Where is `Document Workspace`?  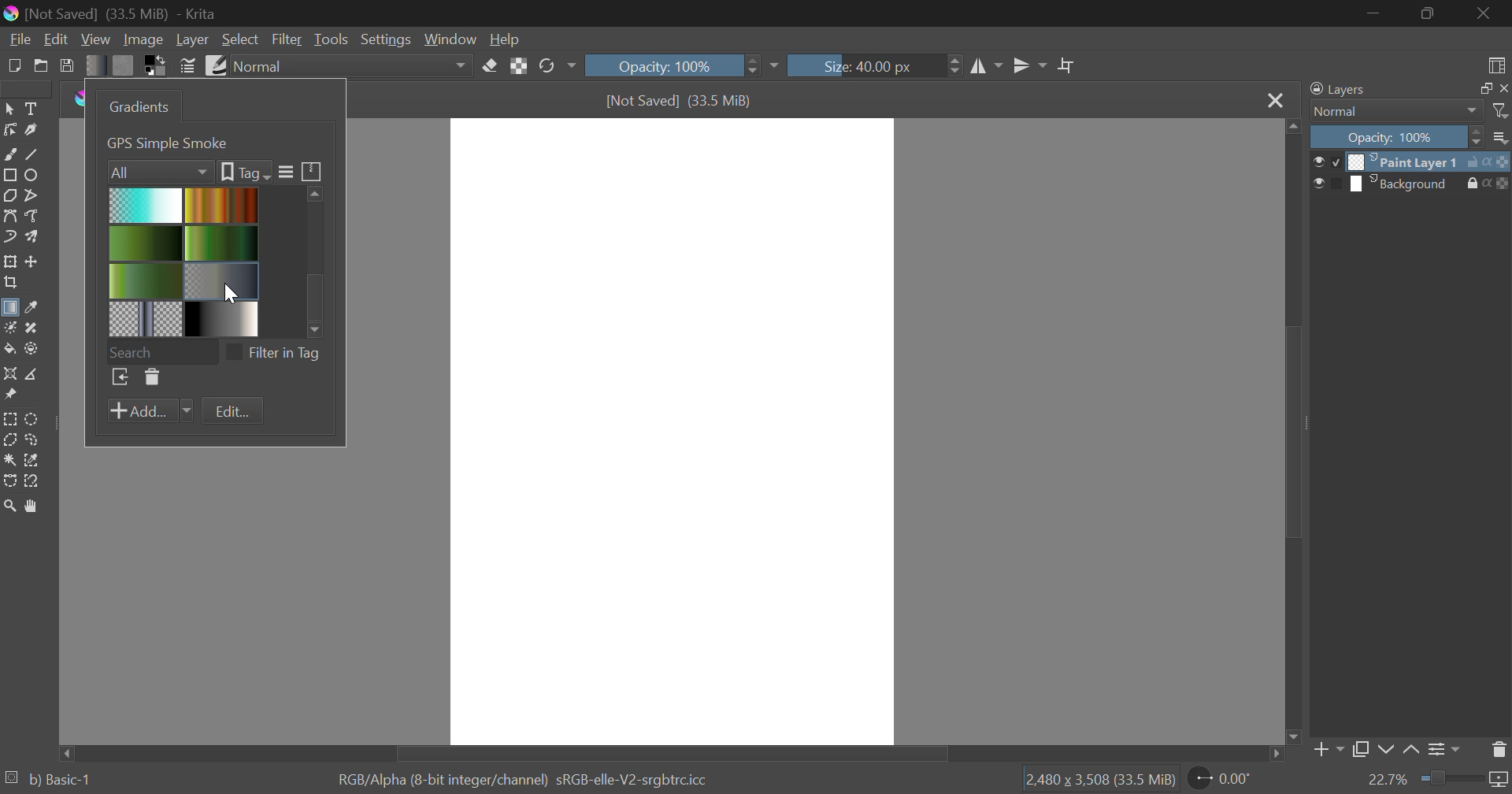
Document Workspace is located at coordinates (672, 430).